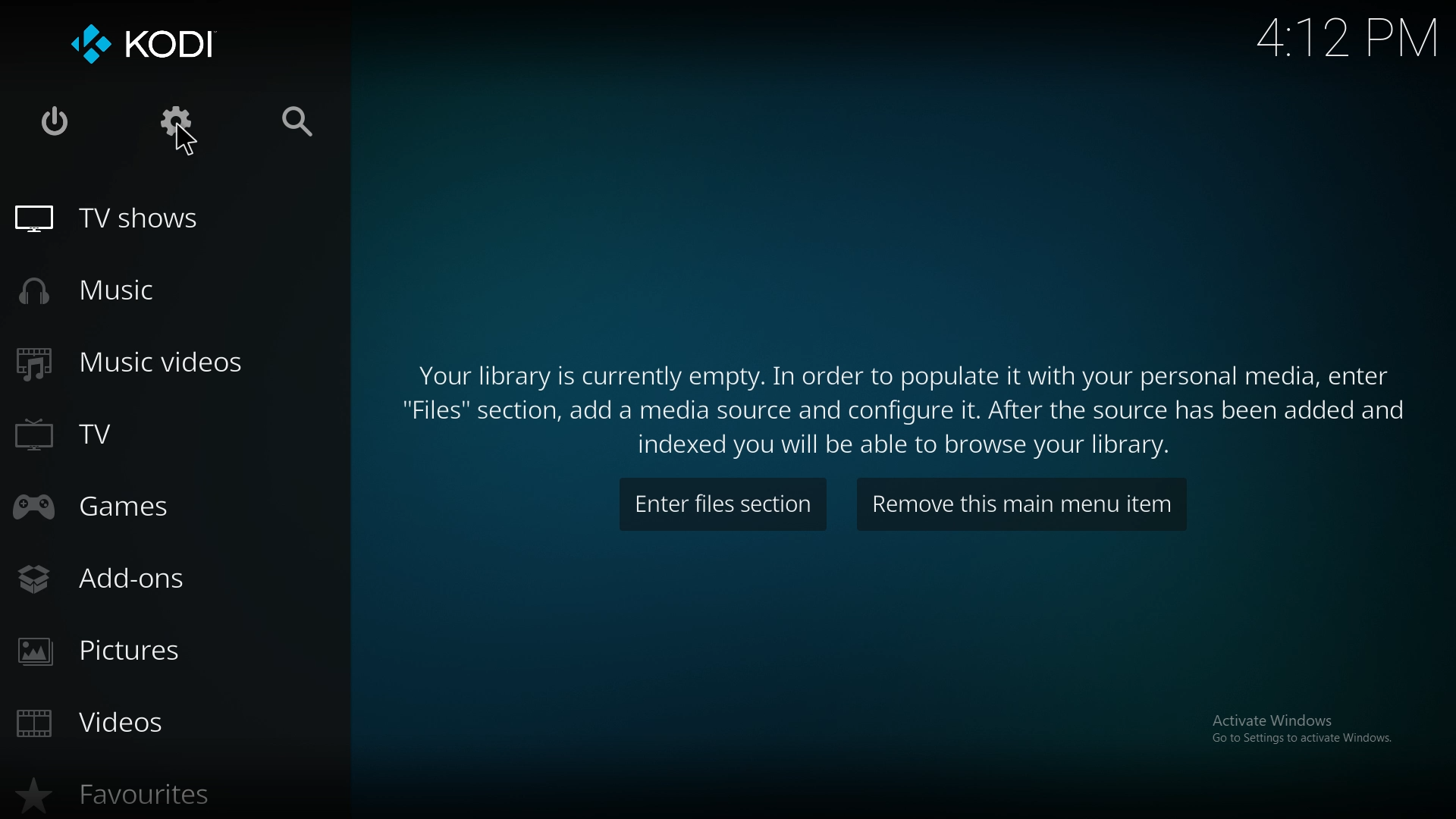 This screenshot has height=819, width=1456. What do you see at coordinates (1022, 505) in the screenshot?
I see `remove item` at bounding box center [1022, 505].